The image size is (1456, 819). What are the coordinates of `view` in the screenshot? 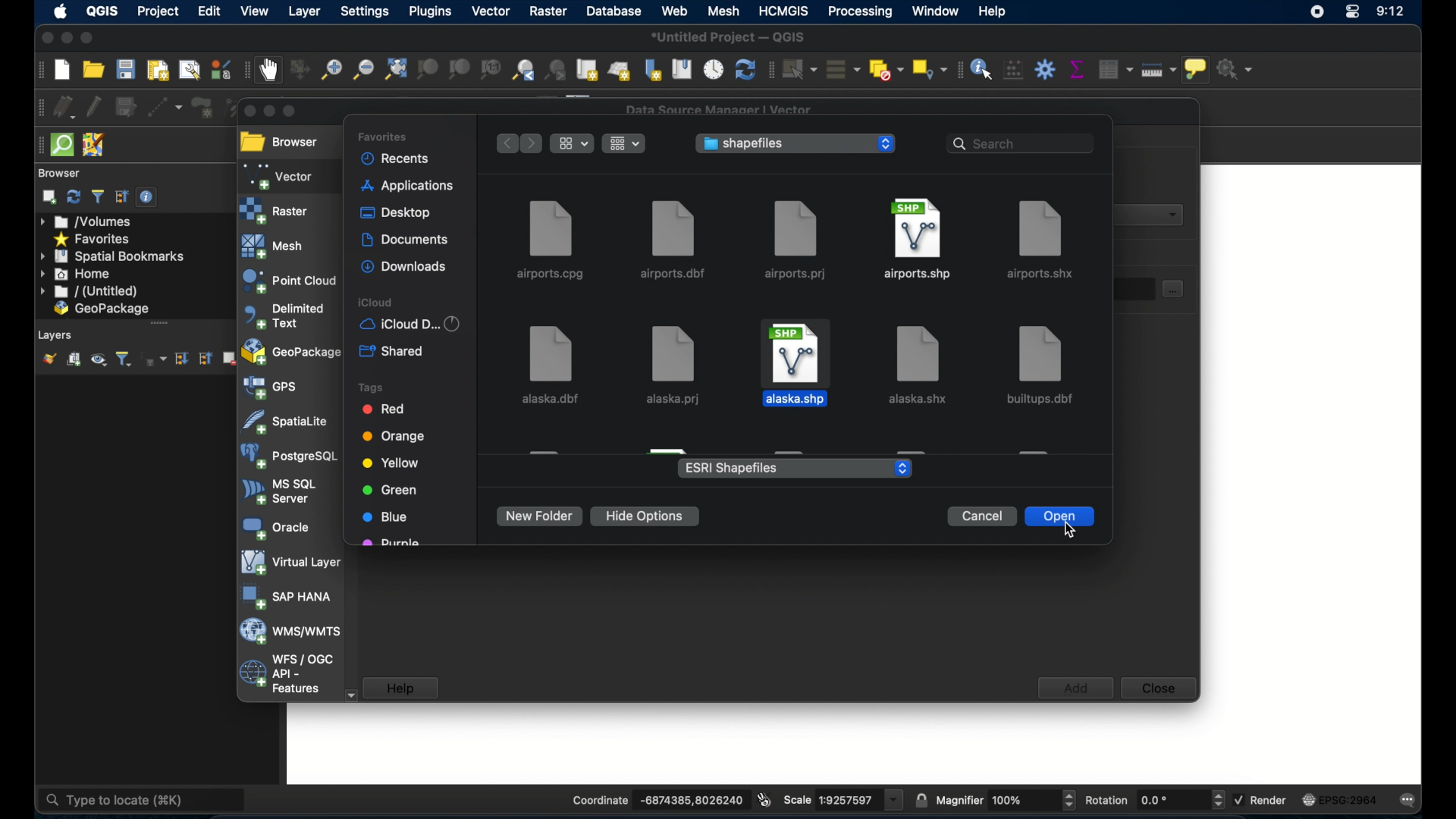 It's located at (256, 11).